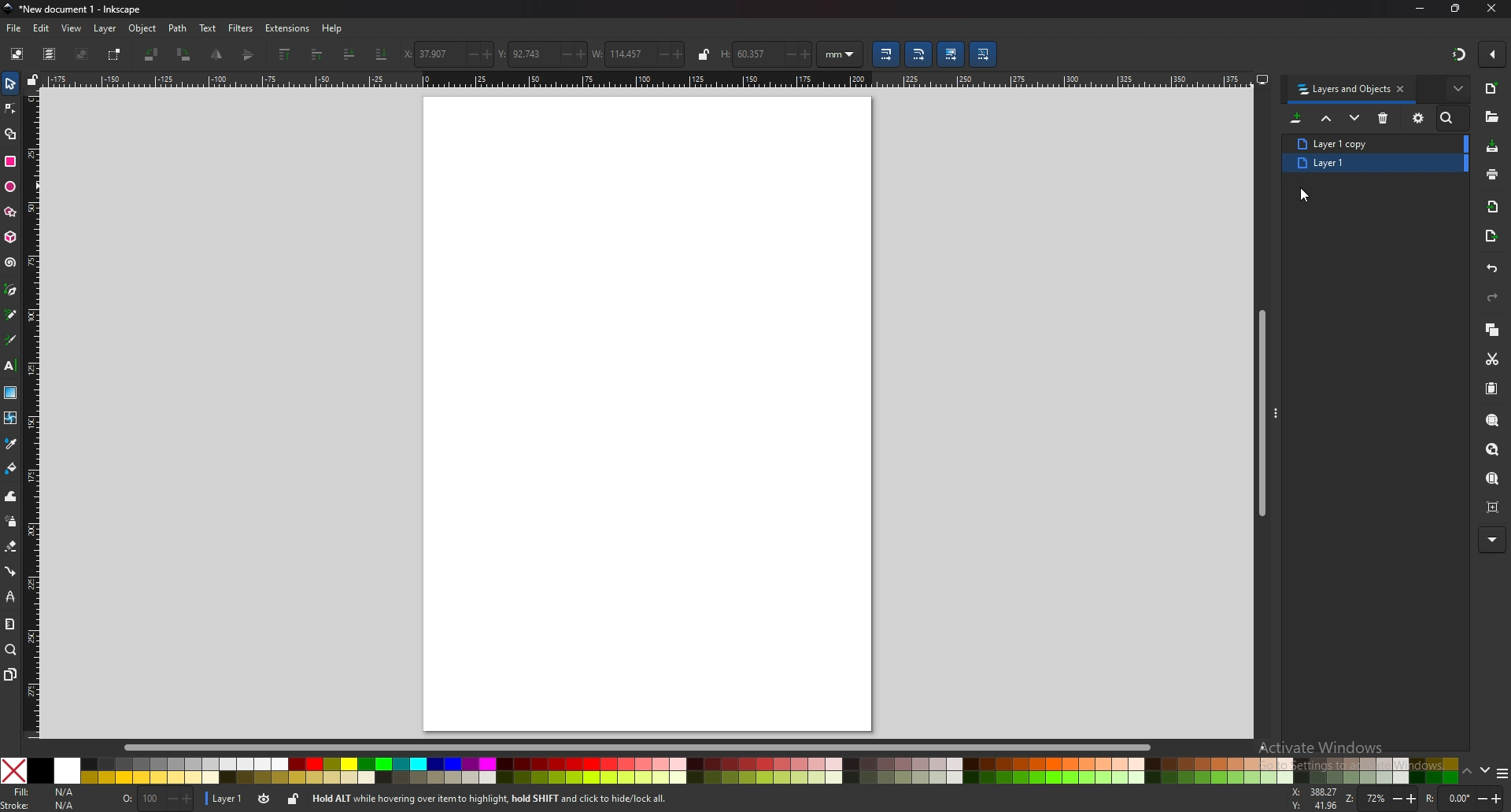 This screenshot has height=812, width=1511. What do you see at coordinates (841, 54) in the screenshot?
I see `unit` at bounding box center [841, 54].